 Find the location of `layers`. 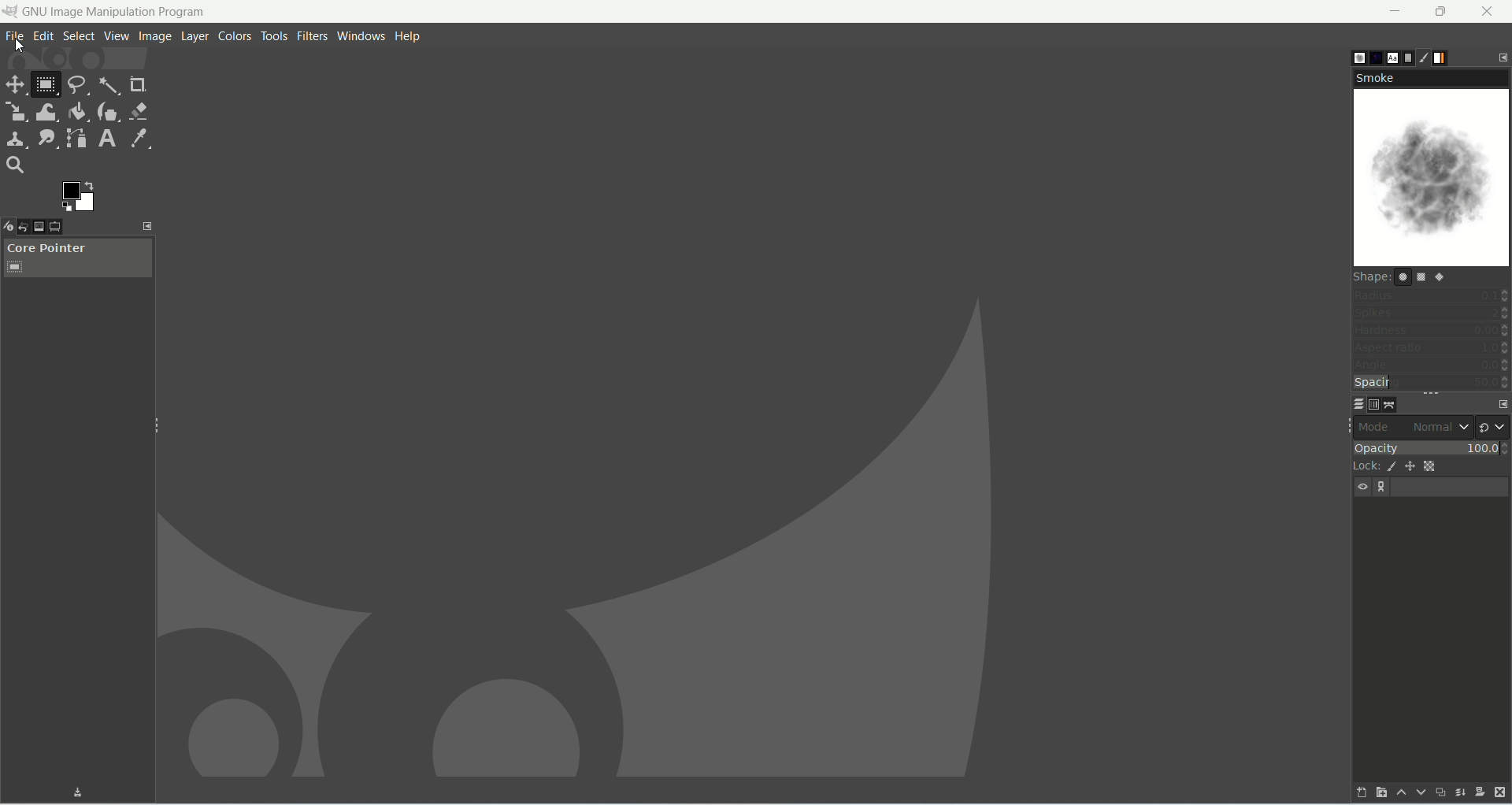

layers is located at coordinates (1358, 405).